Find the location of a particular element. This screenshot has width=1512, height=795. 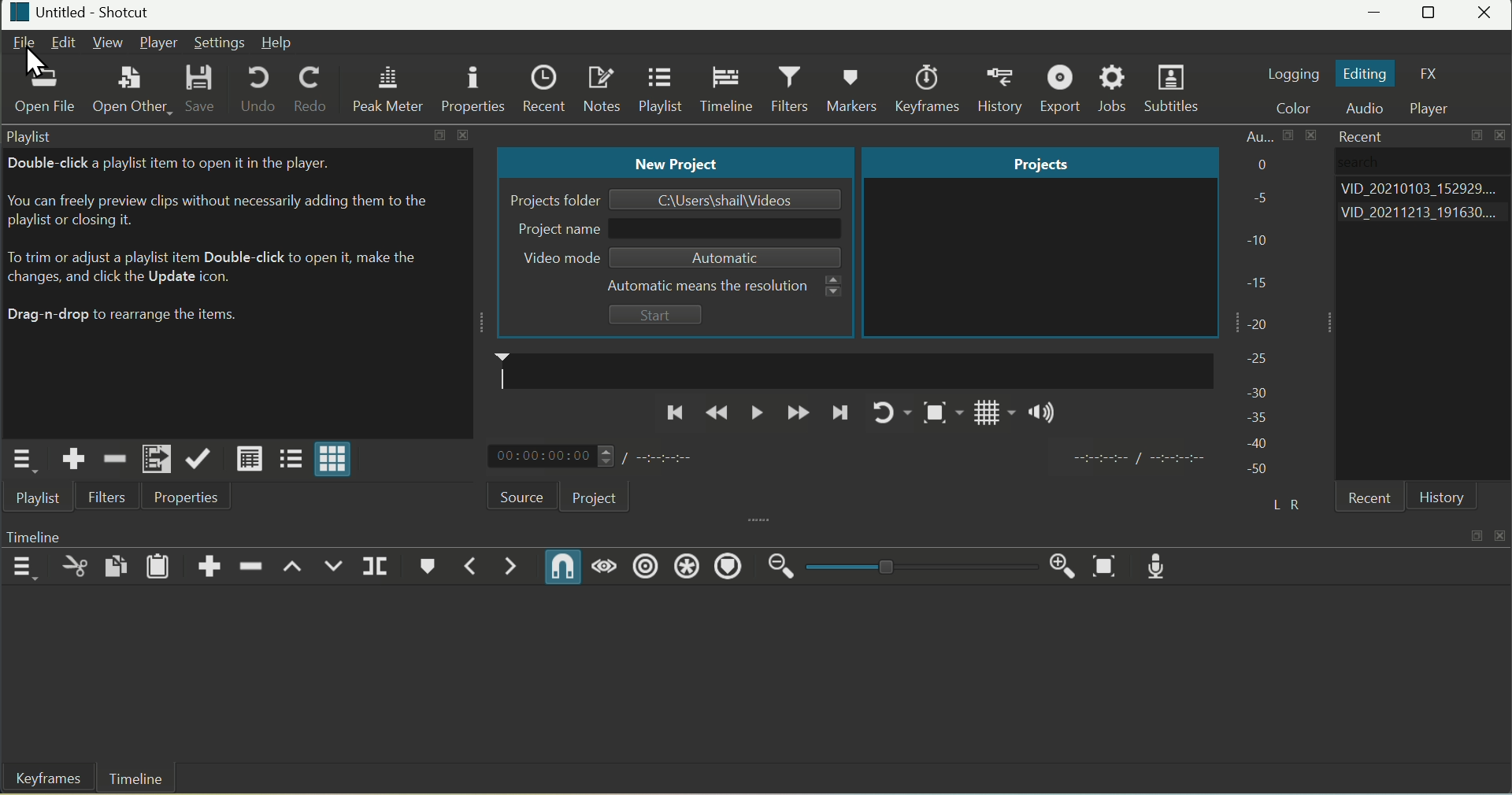

Jobs is located at coordinates (1114, 89).